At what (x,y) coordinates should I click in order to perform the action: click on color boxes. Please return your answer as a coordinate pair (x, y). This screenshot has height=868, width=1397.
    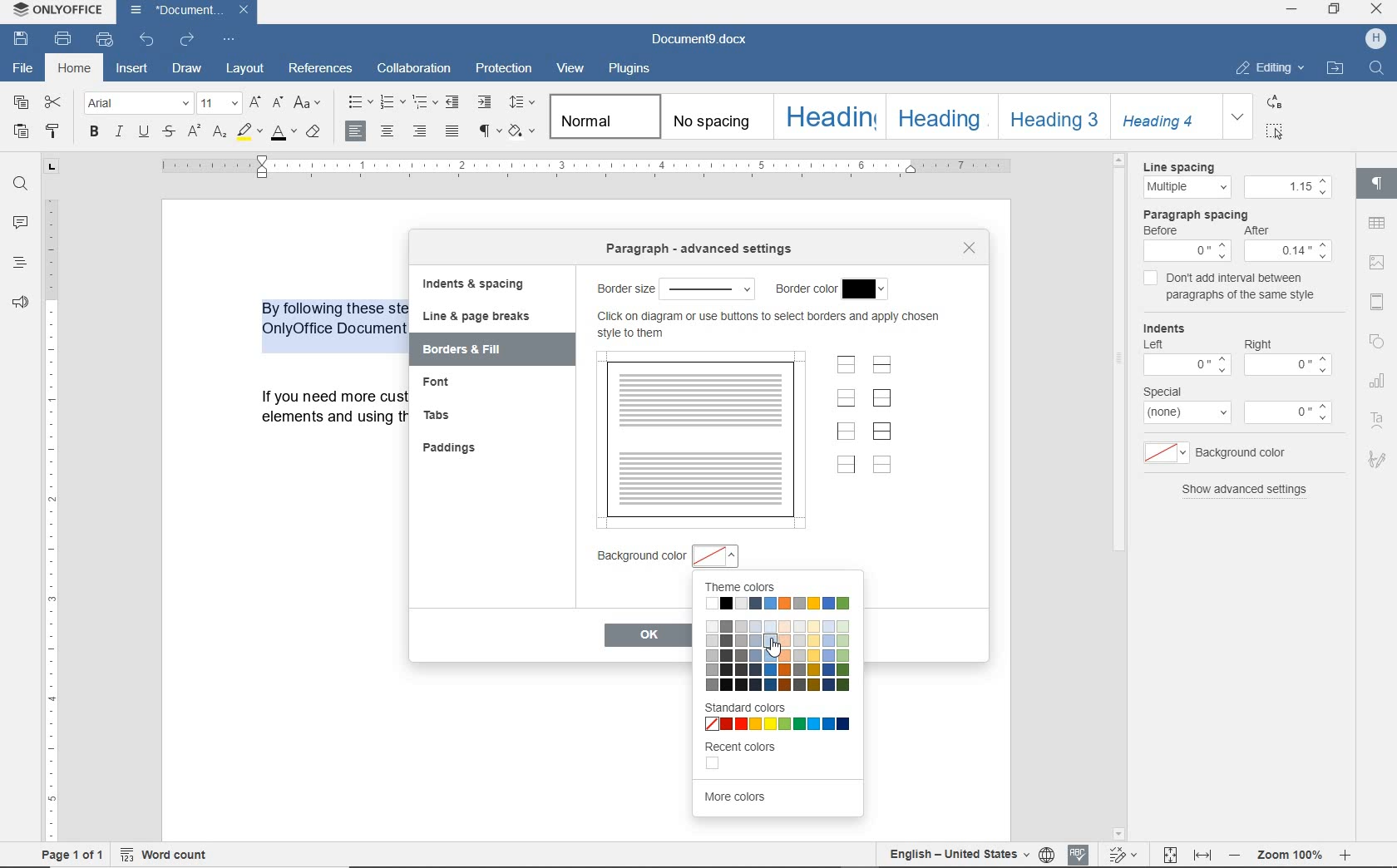
    Looking at the image, I should click on (779, 725).